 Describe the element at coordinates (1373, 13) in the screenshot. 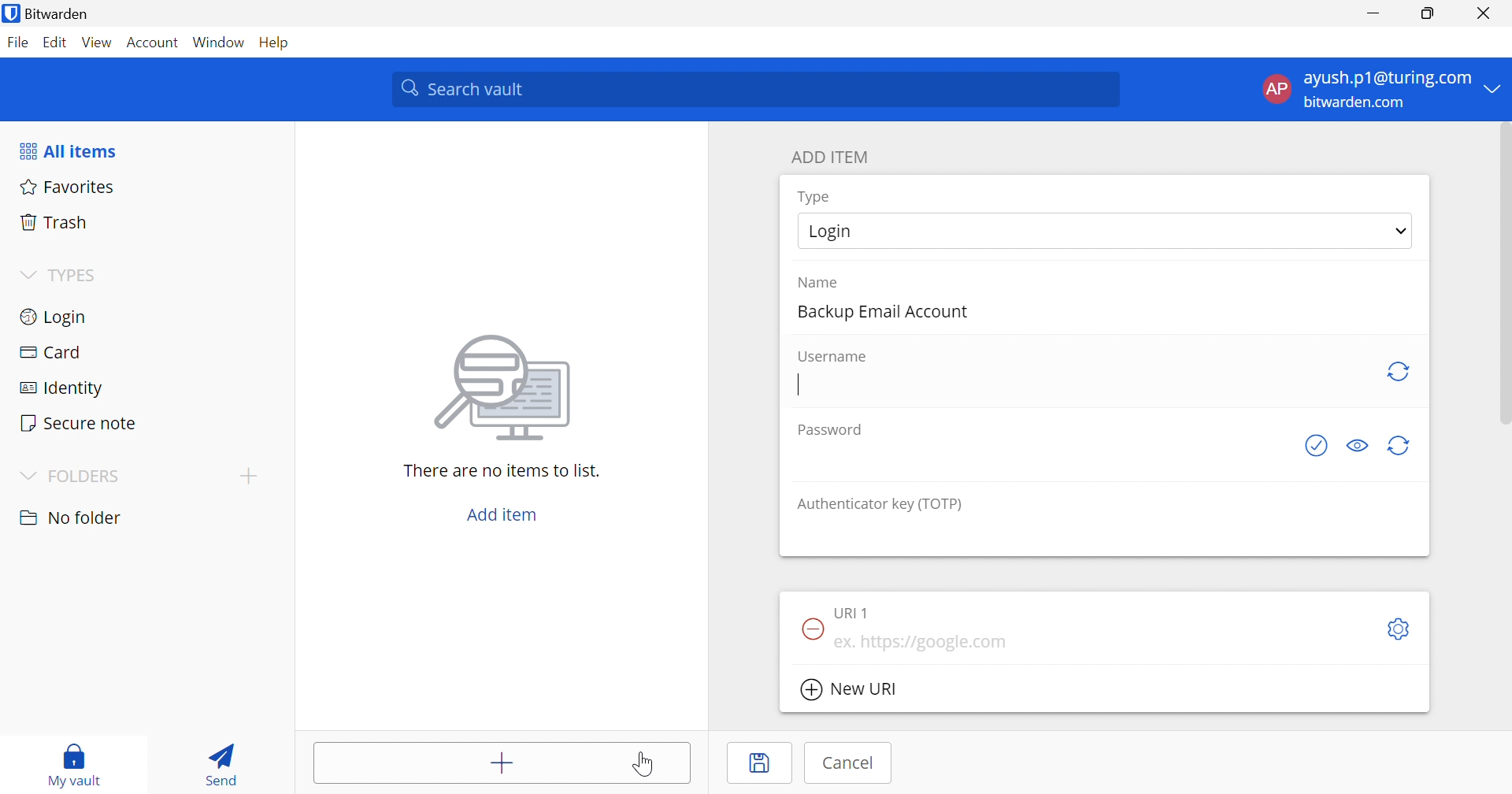

I see `Minimize` at that location.